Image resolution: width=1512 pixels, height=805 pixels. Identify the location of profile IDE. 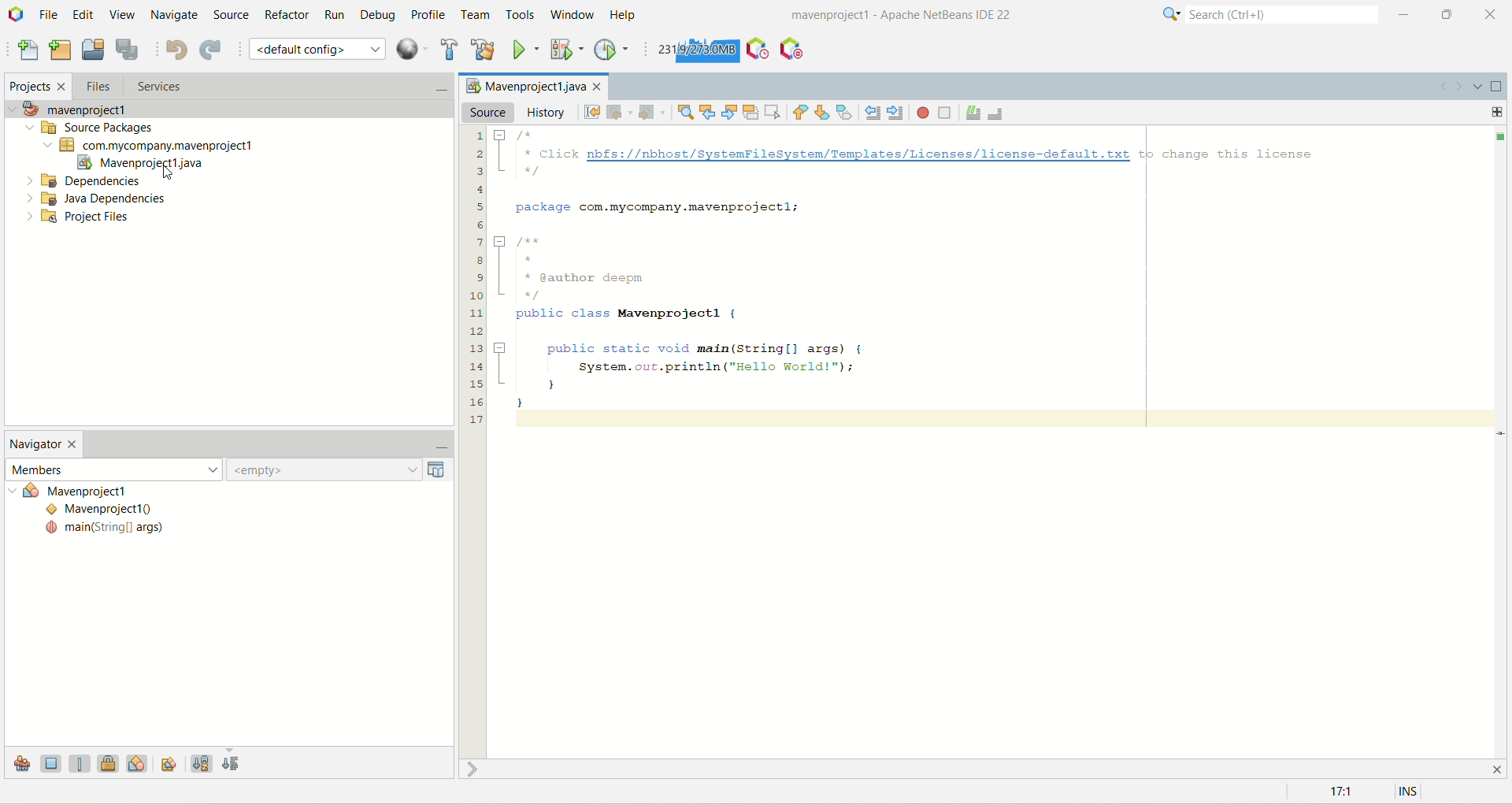
(758, 49).